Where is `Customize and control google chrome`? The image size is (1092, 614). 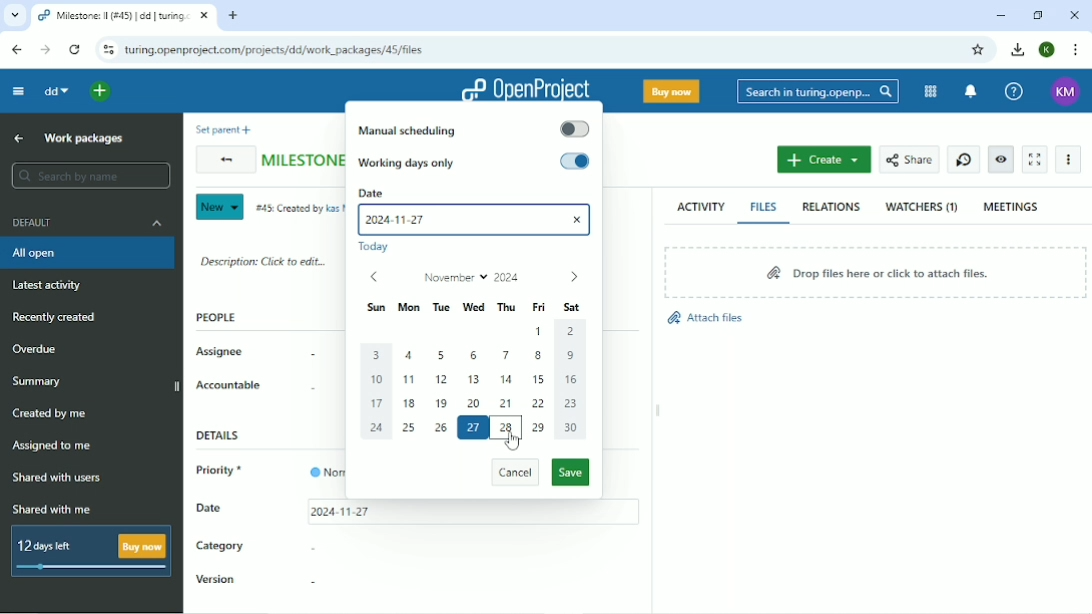 Customize and control google chrome is located at coordinates (1076, 49).